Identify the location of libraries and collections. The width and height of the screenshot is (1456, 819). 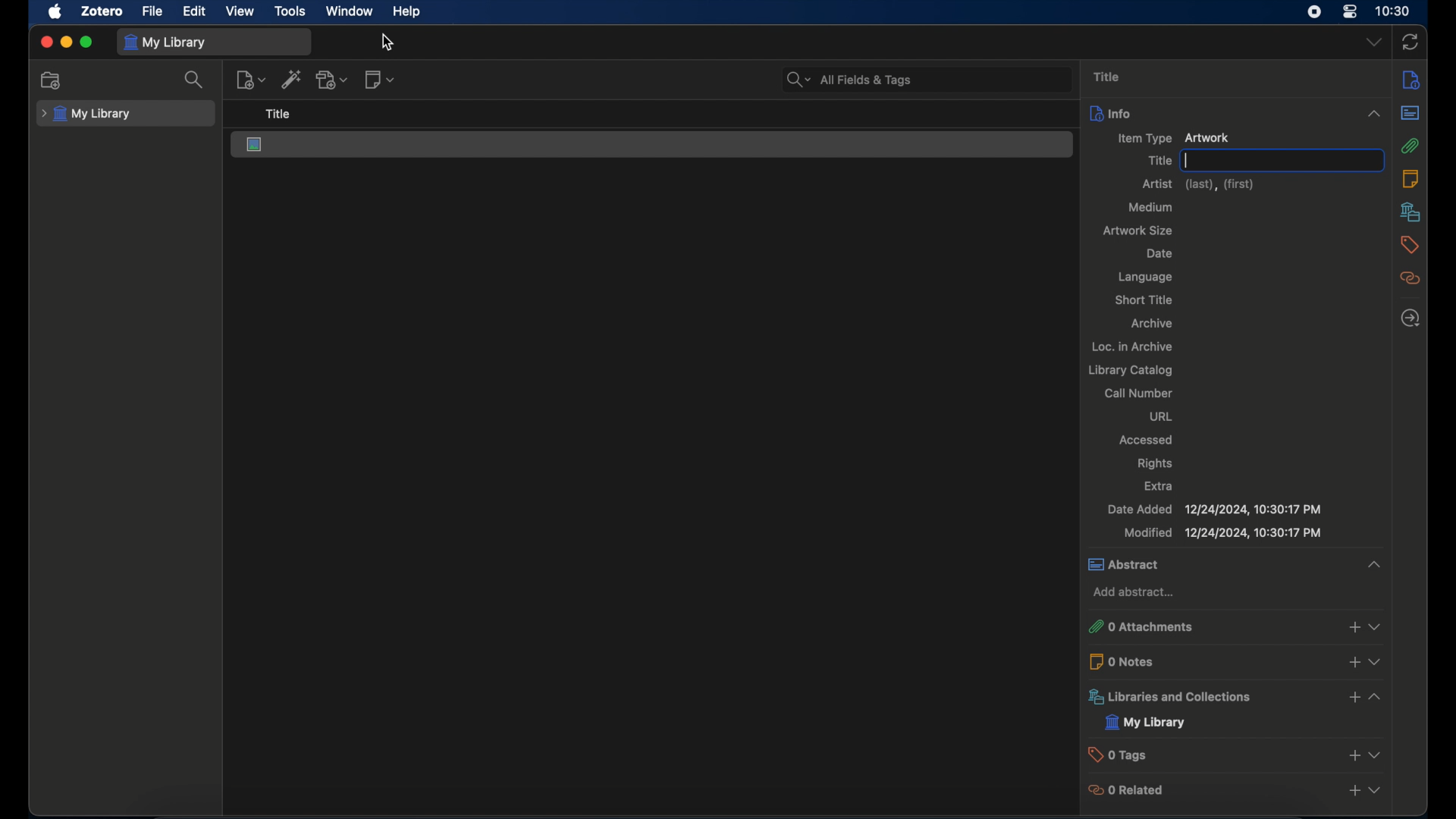
(1175, 696).